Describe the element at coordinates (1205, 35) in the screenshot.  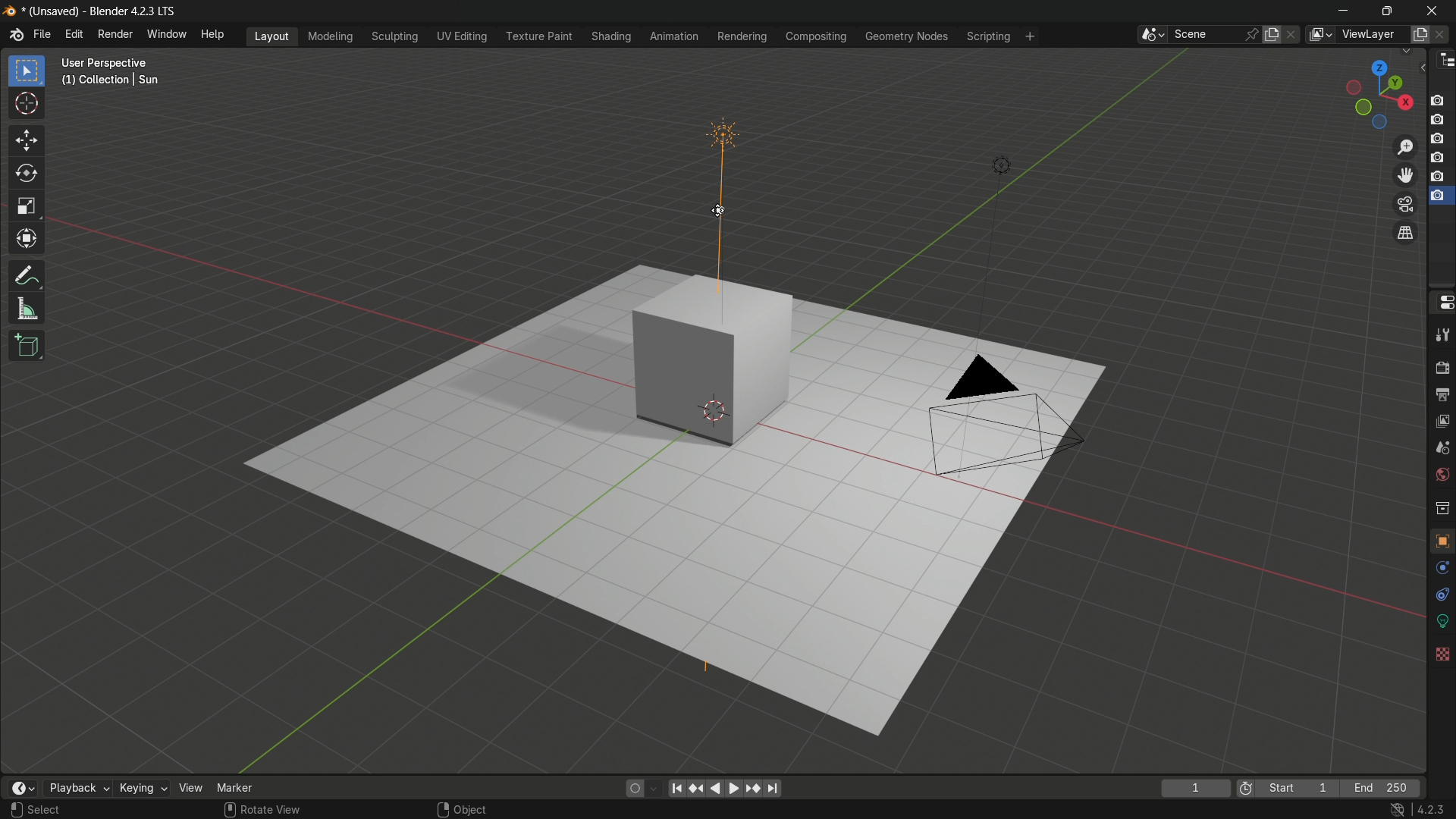
I see `scene name` at that location.